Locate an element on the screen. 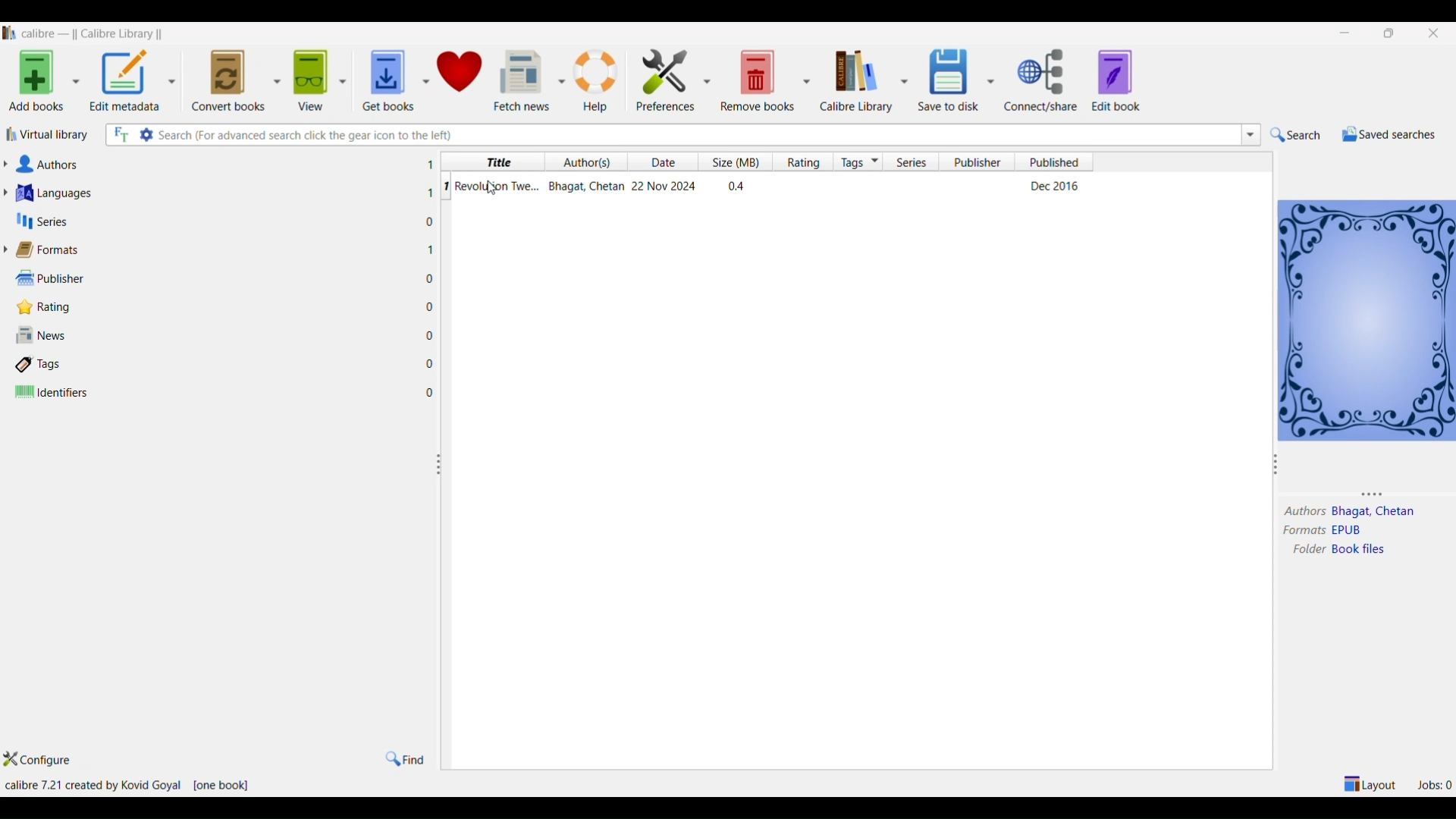  convert books is located at coordinates (228, 78).